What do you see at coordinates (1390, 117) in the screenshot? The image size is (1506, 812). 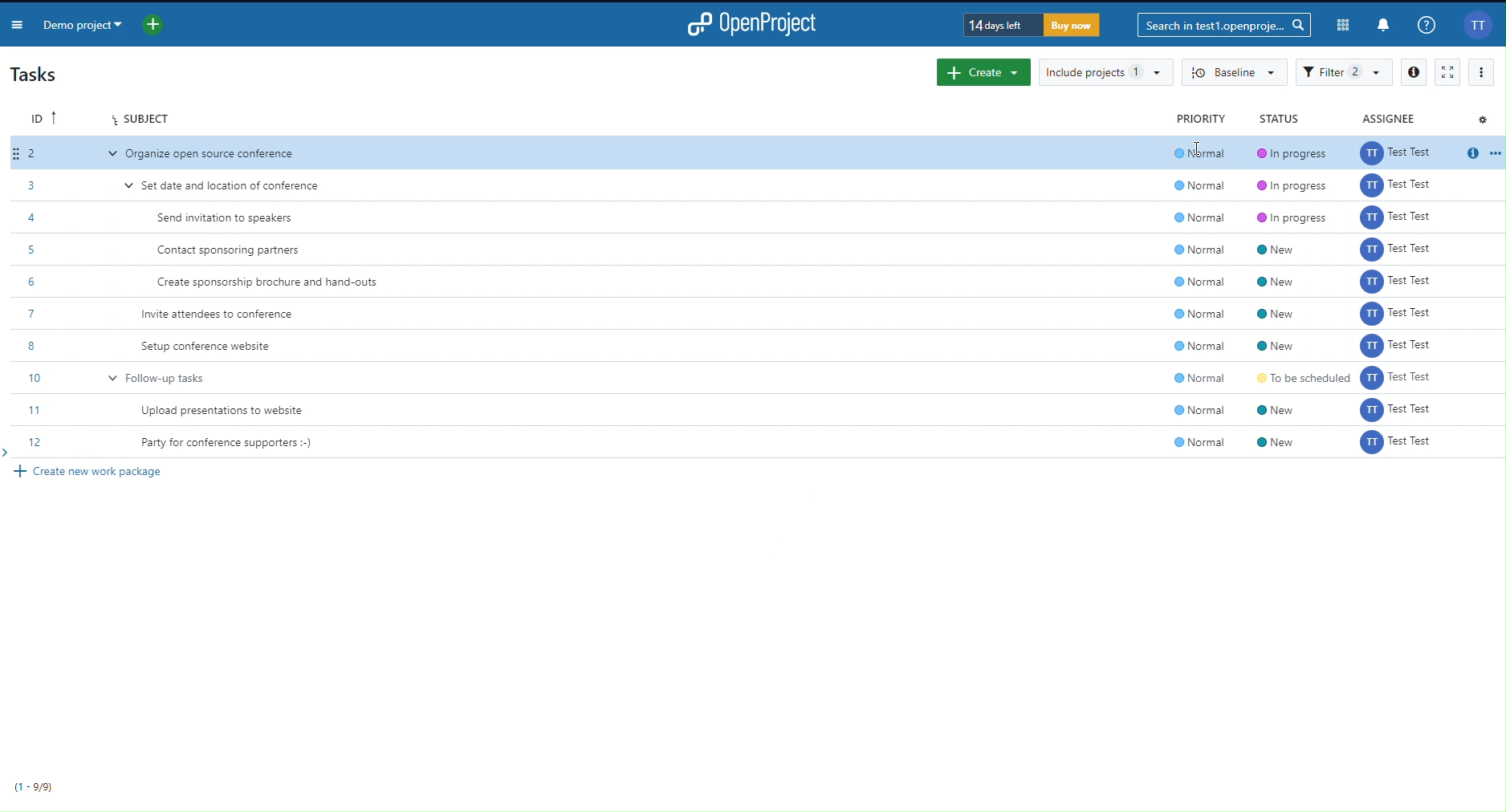 I see `Assignee` at bounding box center [1390, 117].